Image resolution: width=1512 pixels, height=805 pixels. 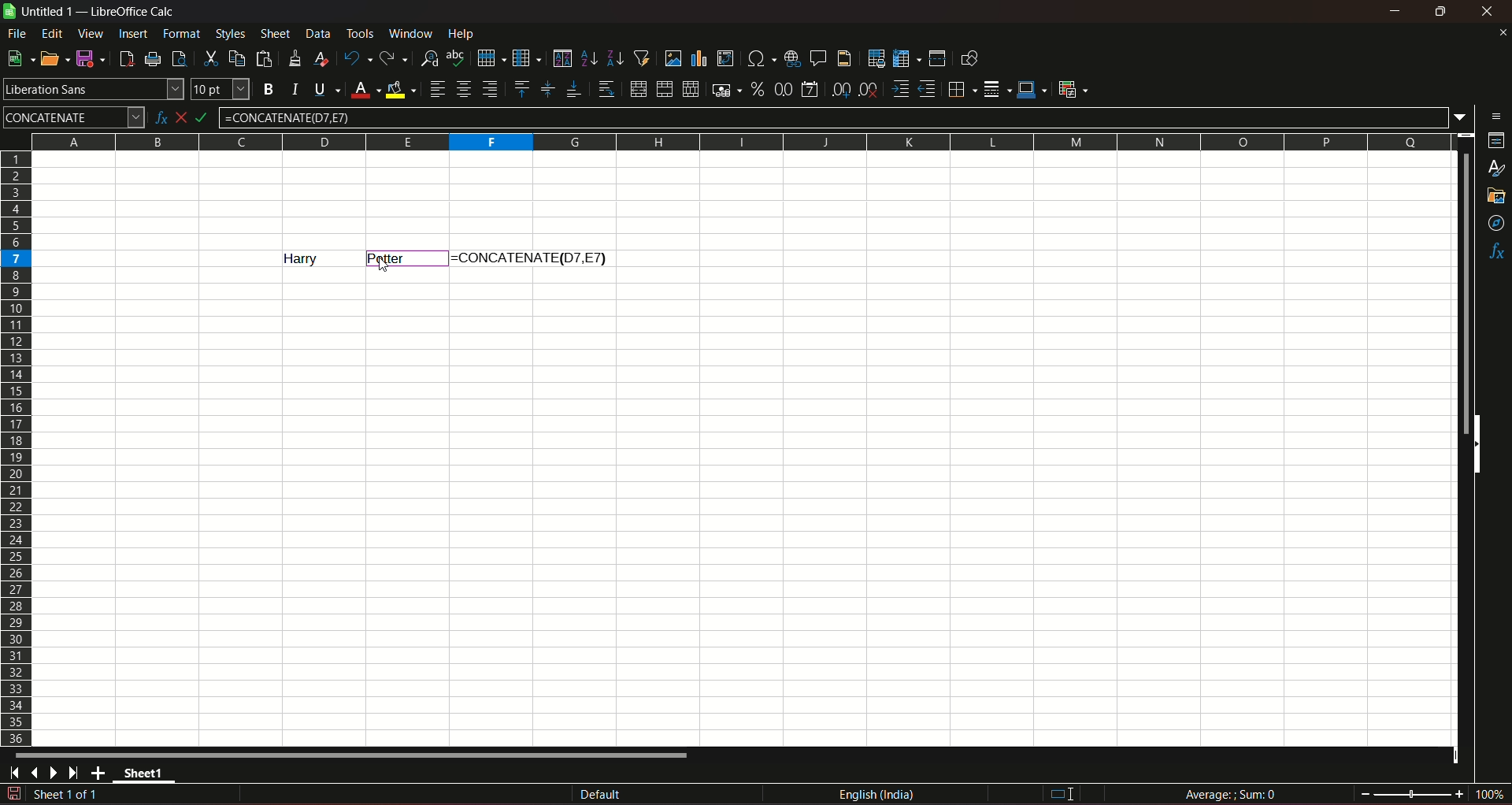 I want to click on align right, so click(x=492, y=89).